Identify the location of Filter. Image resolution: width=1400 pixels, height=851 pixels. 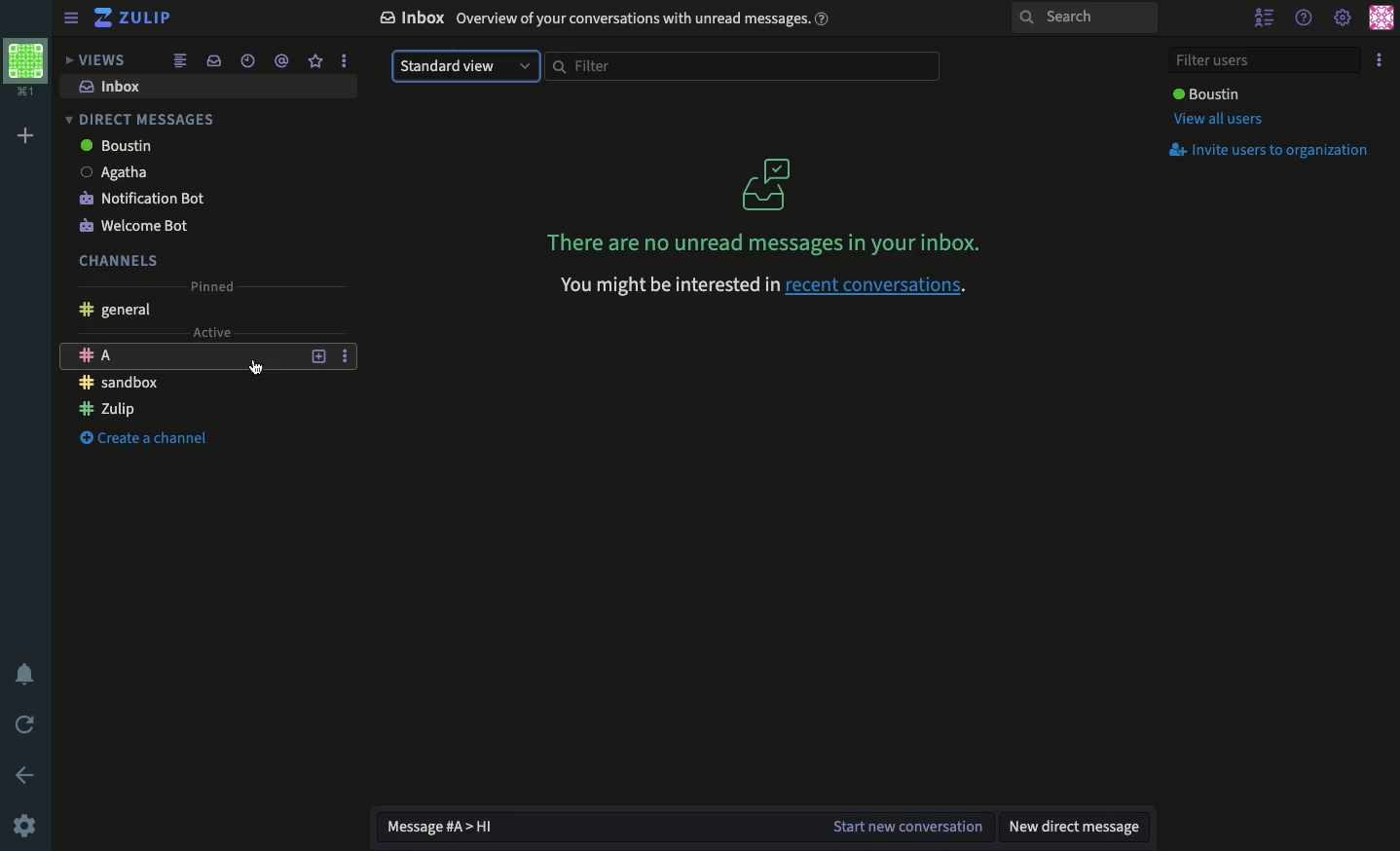
(745, 64).